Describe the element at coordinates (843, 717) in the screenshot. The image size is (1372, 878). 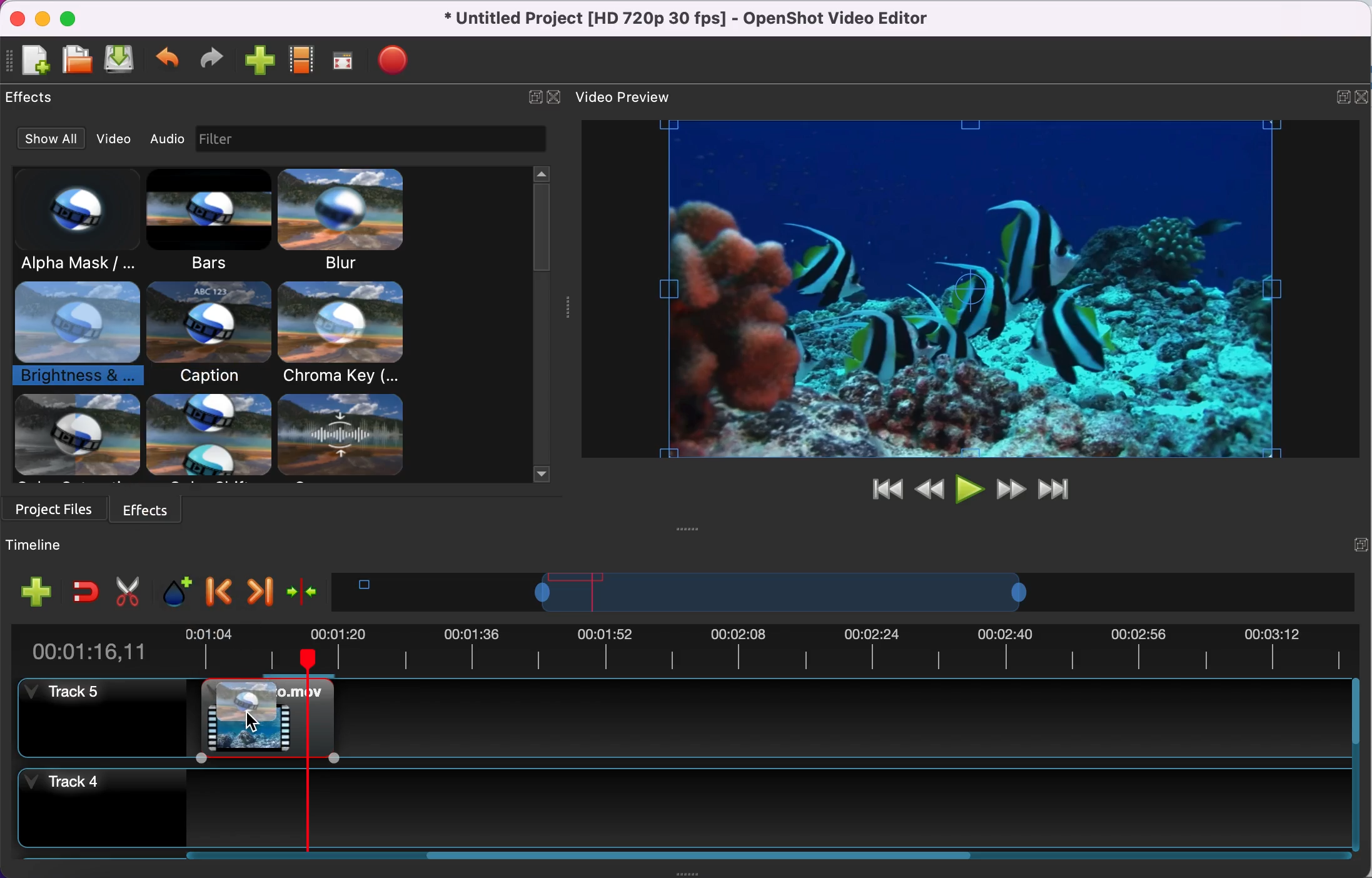
I see `Track 5` at that location.